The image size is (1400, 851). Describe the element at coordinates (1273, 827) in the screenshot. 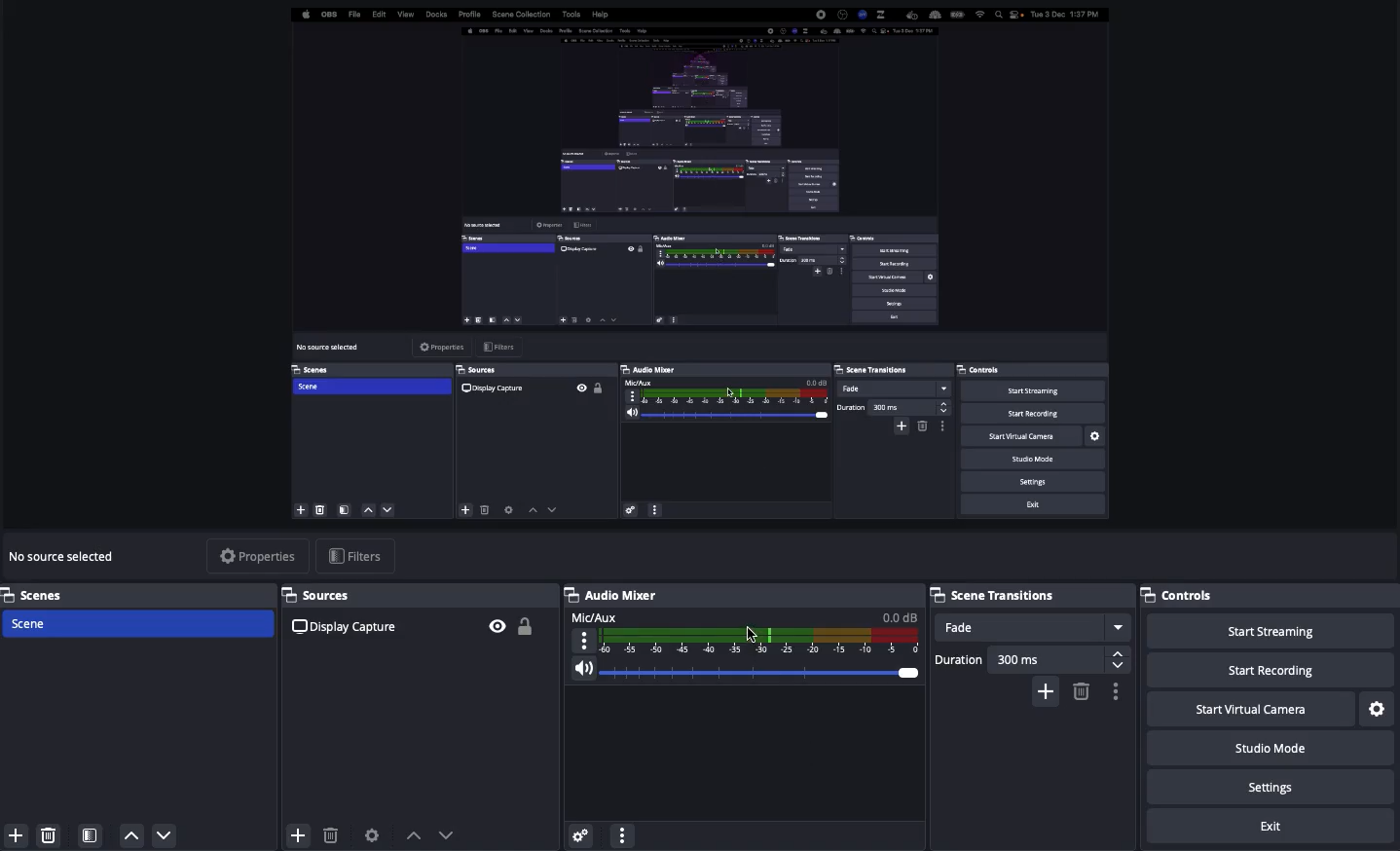

I see `Exit` at that location.